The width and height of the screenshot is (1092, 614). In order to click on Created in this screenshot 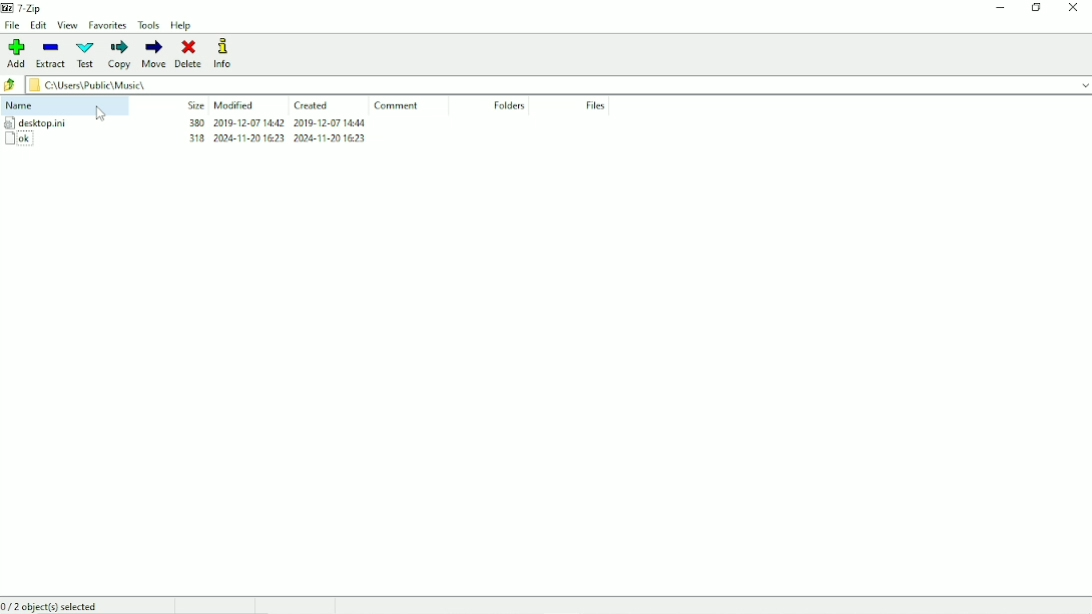, I will do `click(313, 105)`.